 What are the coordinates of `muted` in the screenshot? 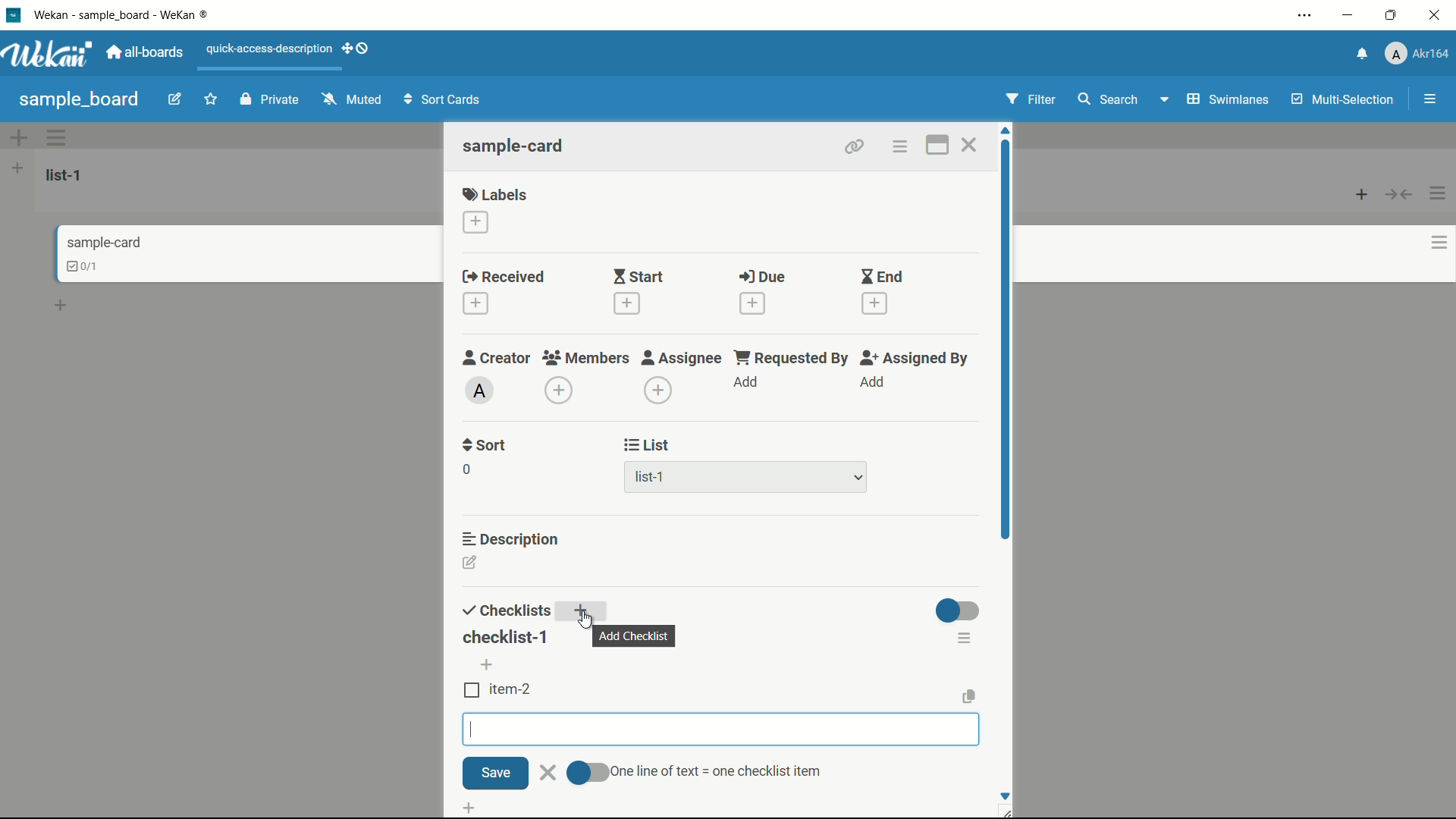 It's located at (350, 100).